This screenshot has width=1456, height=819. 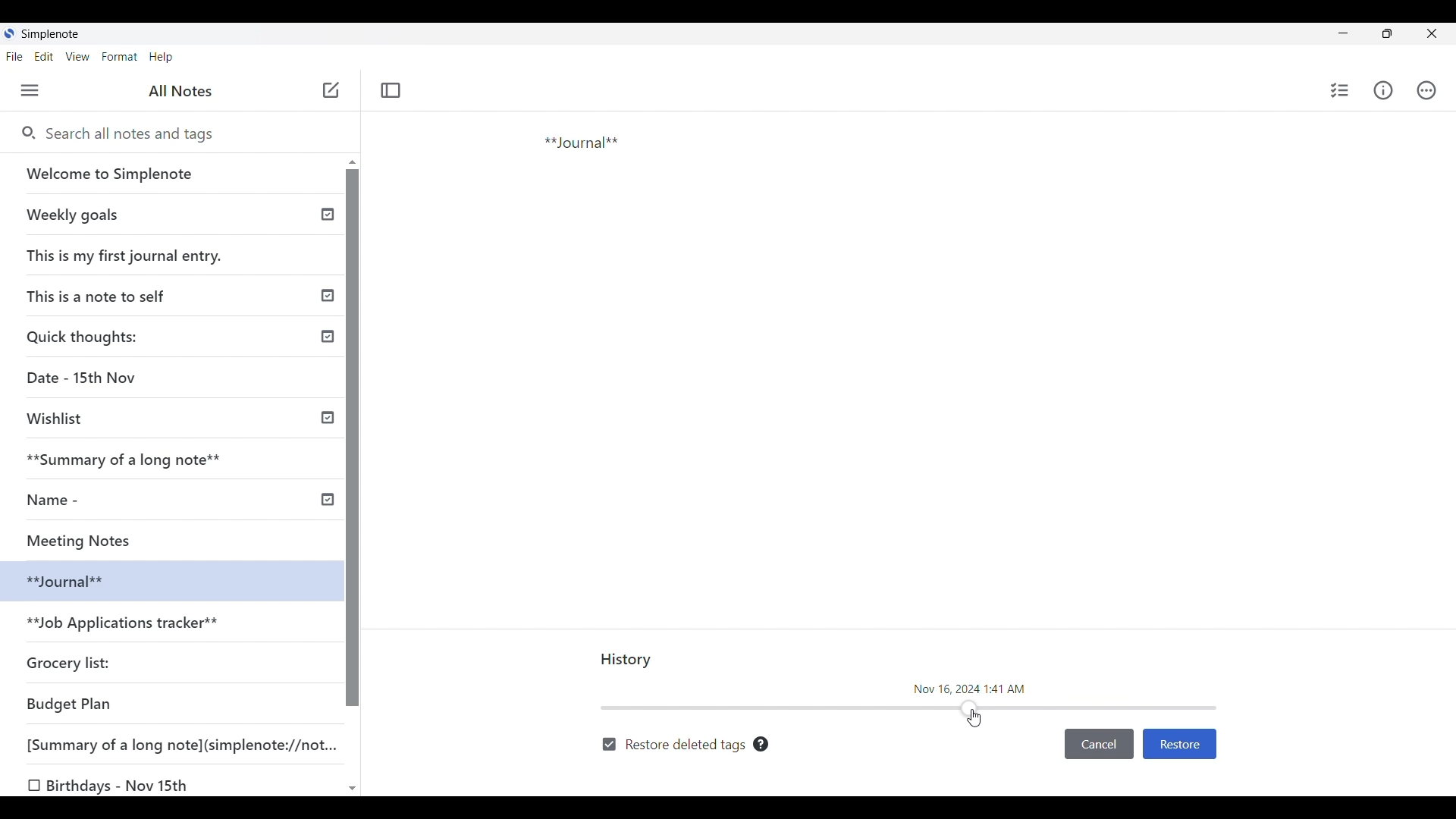 I want to click on View menu, so click(x=78, y=57).